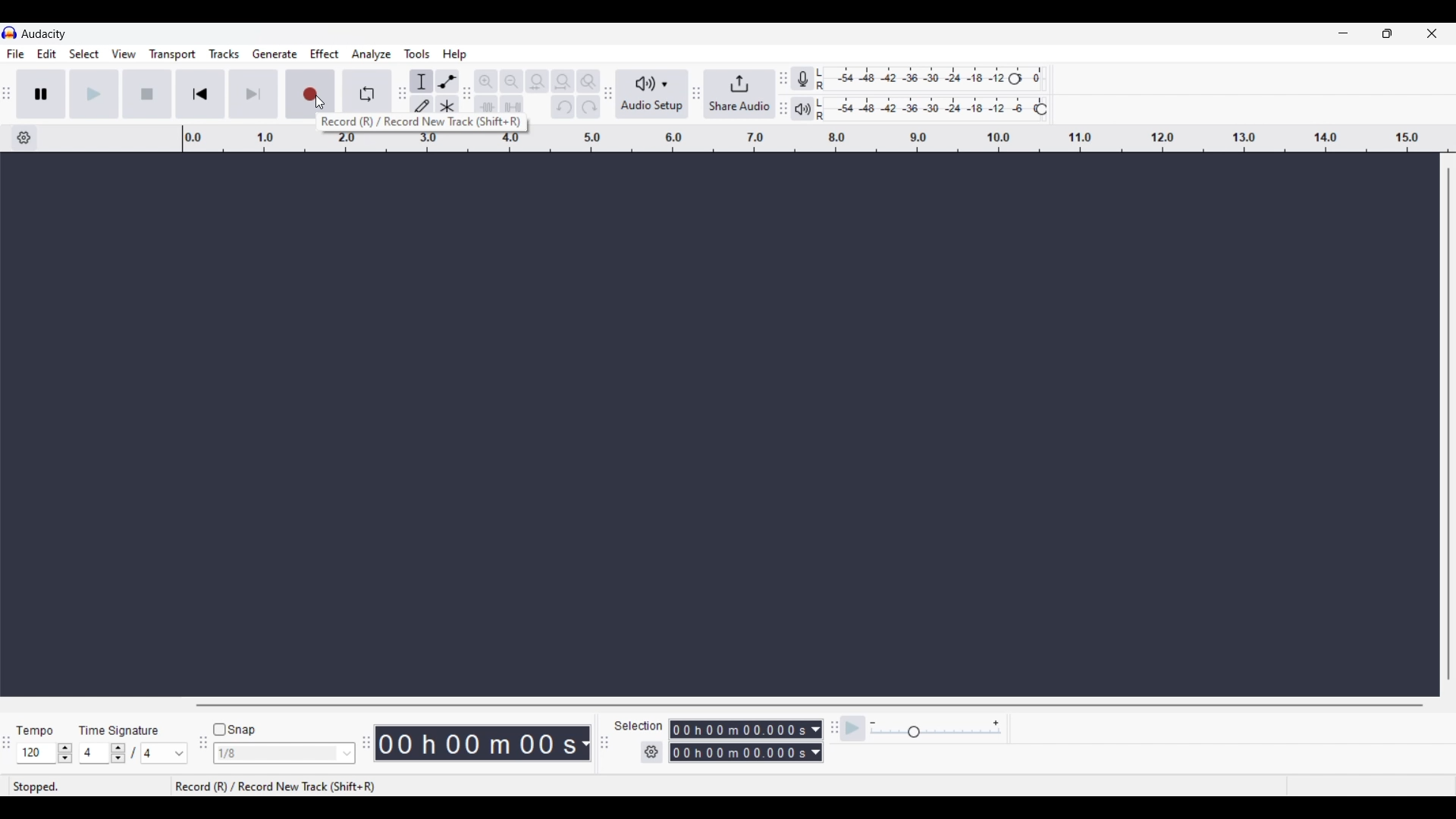  Describe the element at coordinates (275, 54) in the screenshot. I see `Generate menu` at that location.